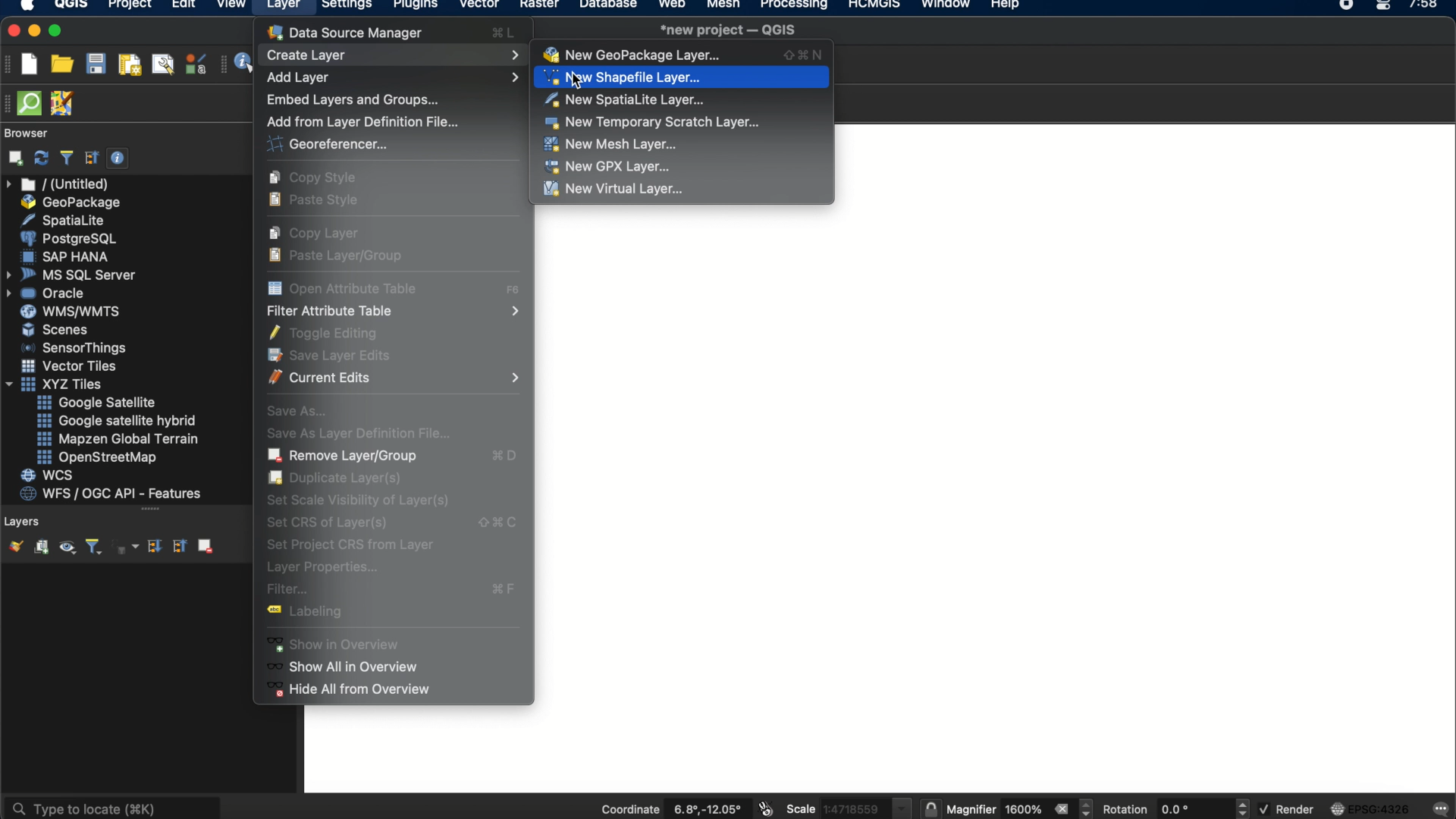 The image size is (1456, 819). Describe the element at coordinates (298, 409) in the screenshot. I see `save as` at that location.